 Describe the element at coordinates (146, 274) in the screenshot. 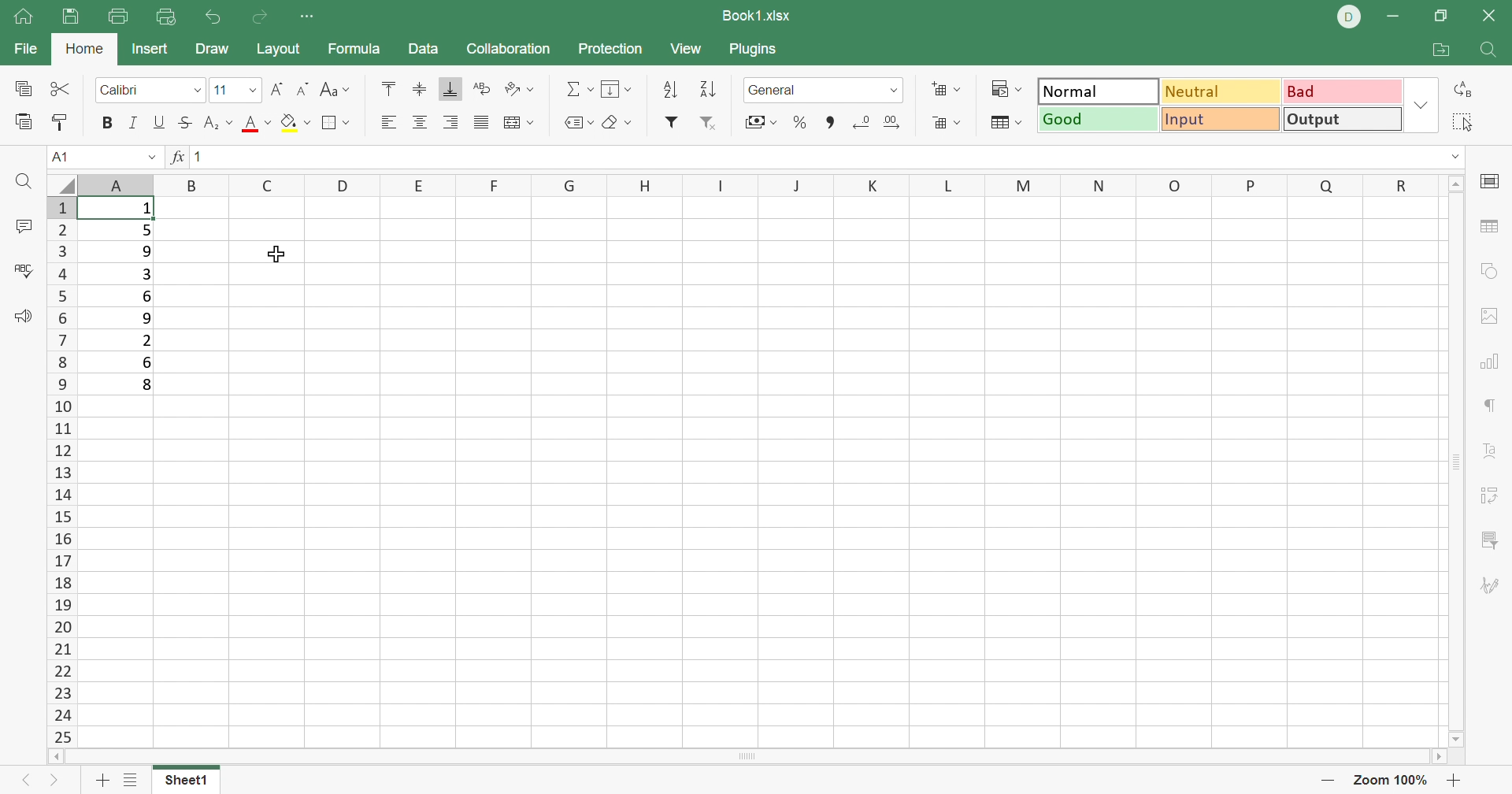

I see `3` at that location.